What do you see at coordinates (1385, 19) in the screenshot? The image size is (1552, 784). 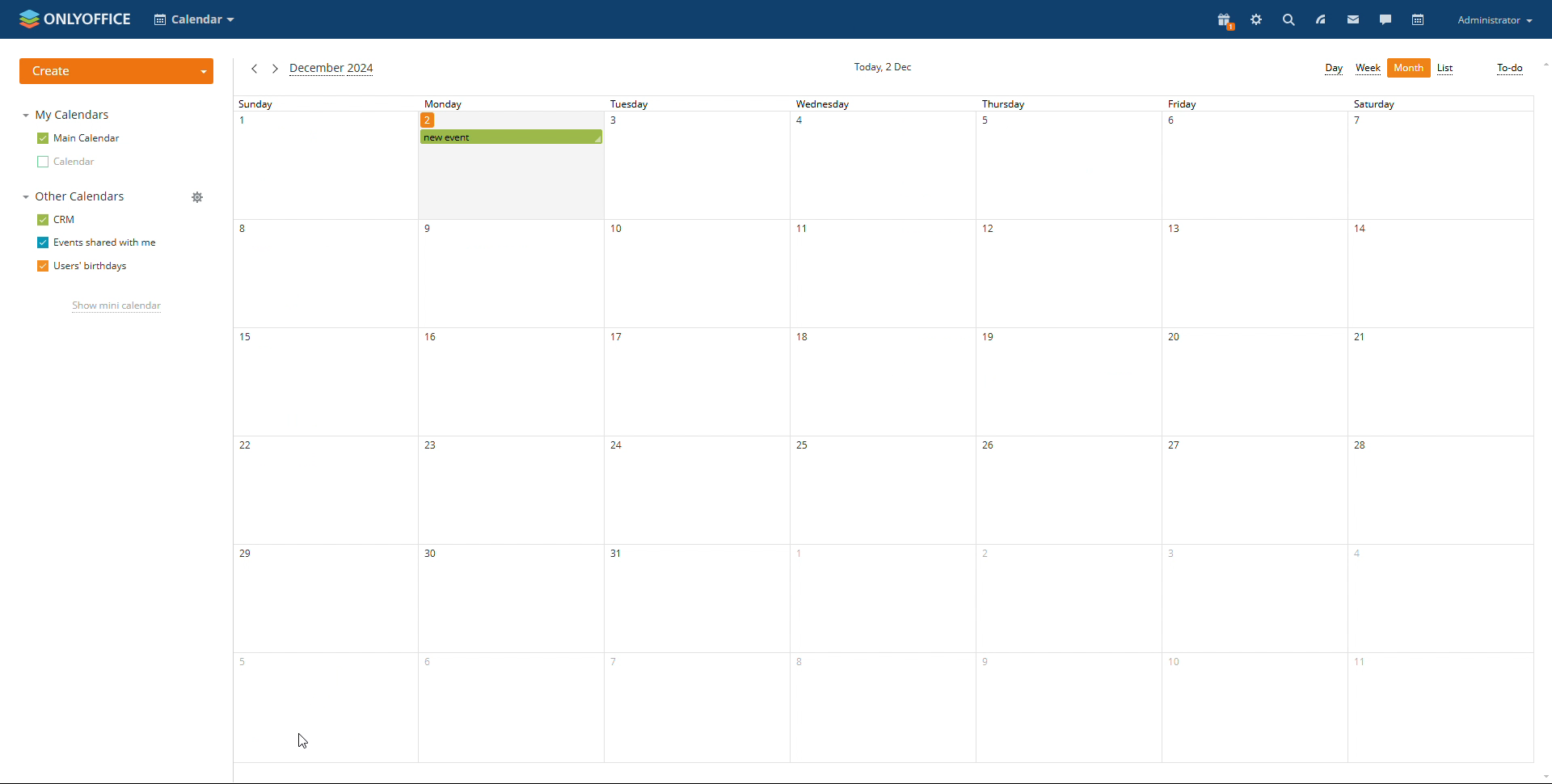 I see `chat` at bounding box center [1385, 19].